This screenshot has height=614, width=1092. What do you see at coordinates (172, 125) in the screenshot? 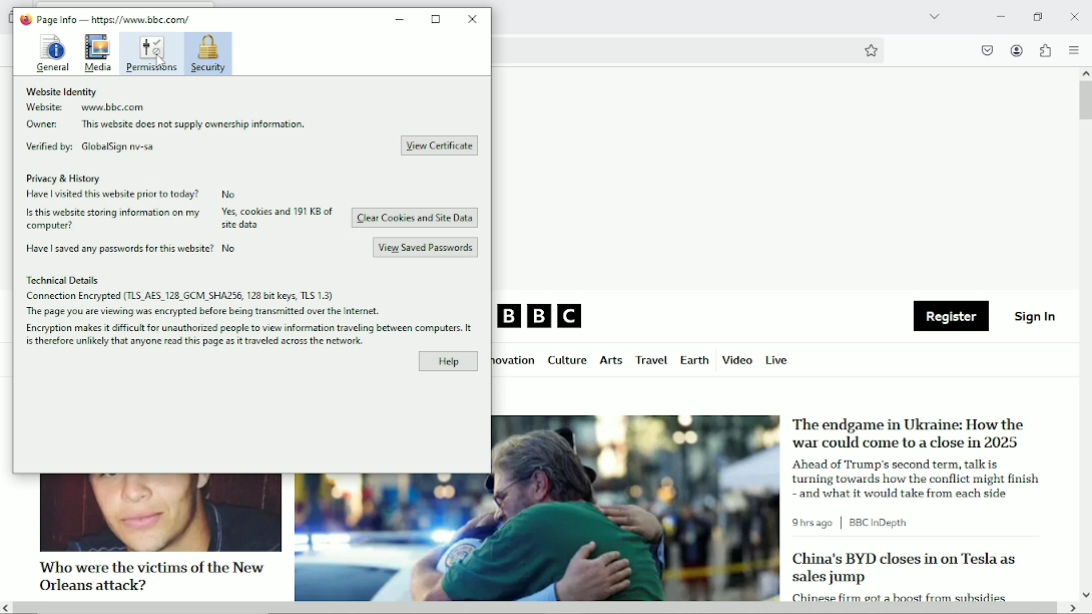
I see `Owner: This website does not supply ownership information.` at bounding box center [172, 125].